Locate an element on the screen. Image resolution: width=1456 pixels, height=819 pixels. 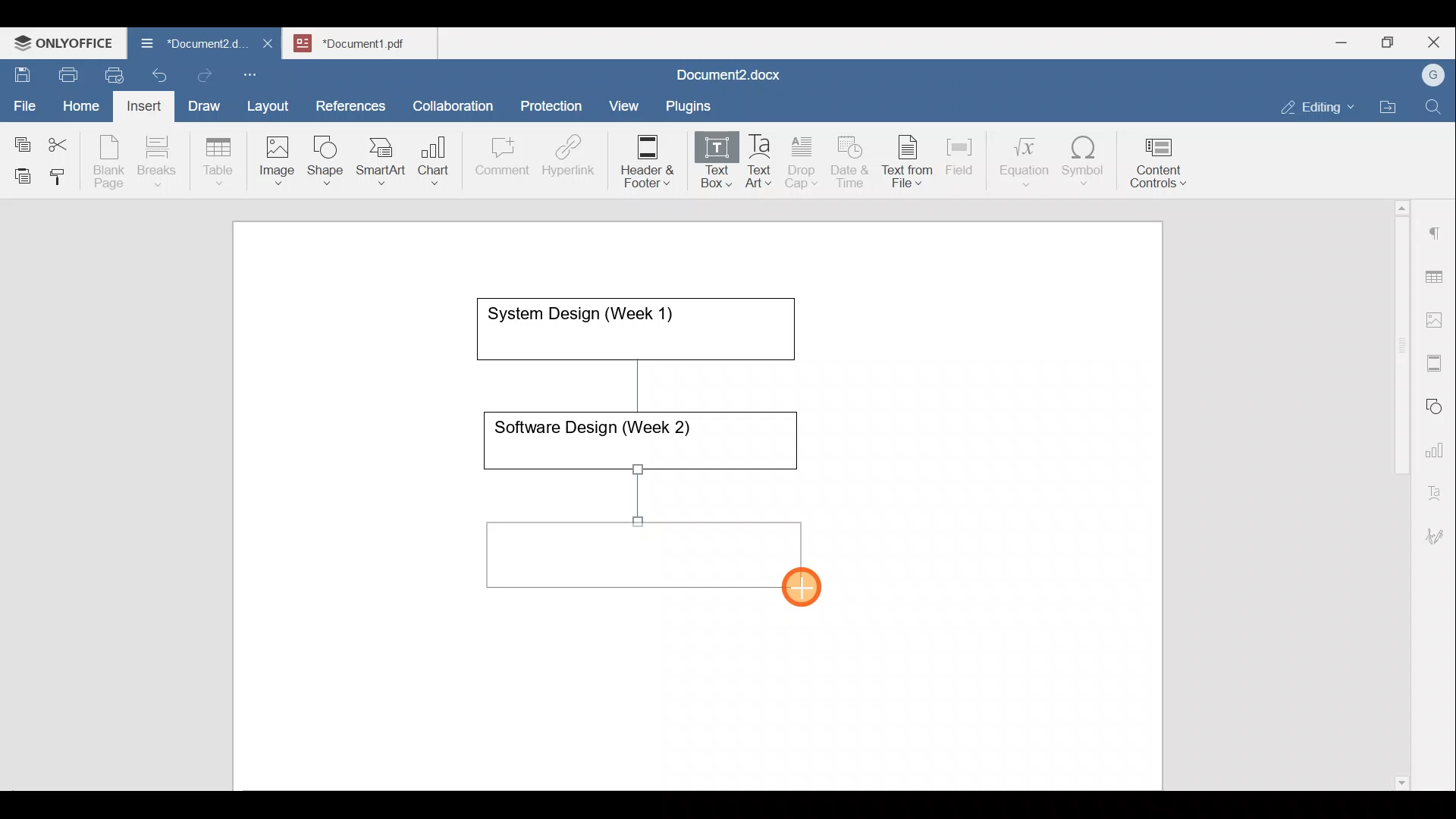
Minimize is located at coordinates (1341, 41).